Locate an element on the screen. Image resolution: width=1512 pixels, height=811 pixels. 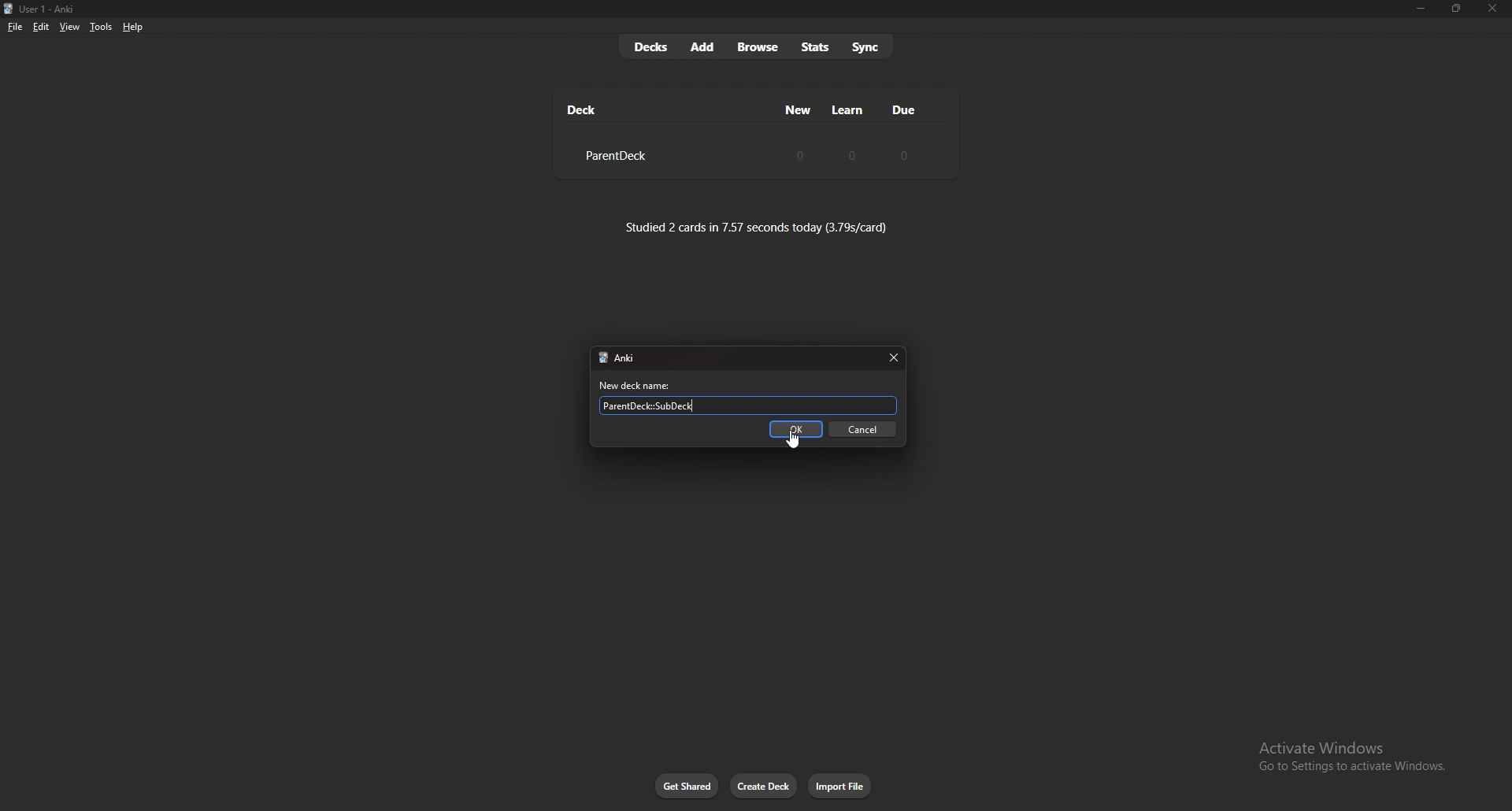
import file is located at coordinates (841, 786).